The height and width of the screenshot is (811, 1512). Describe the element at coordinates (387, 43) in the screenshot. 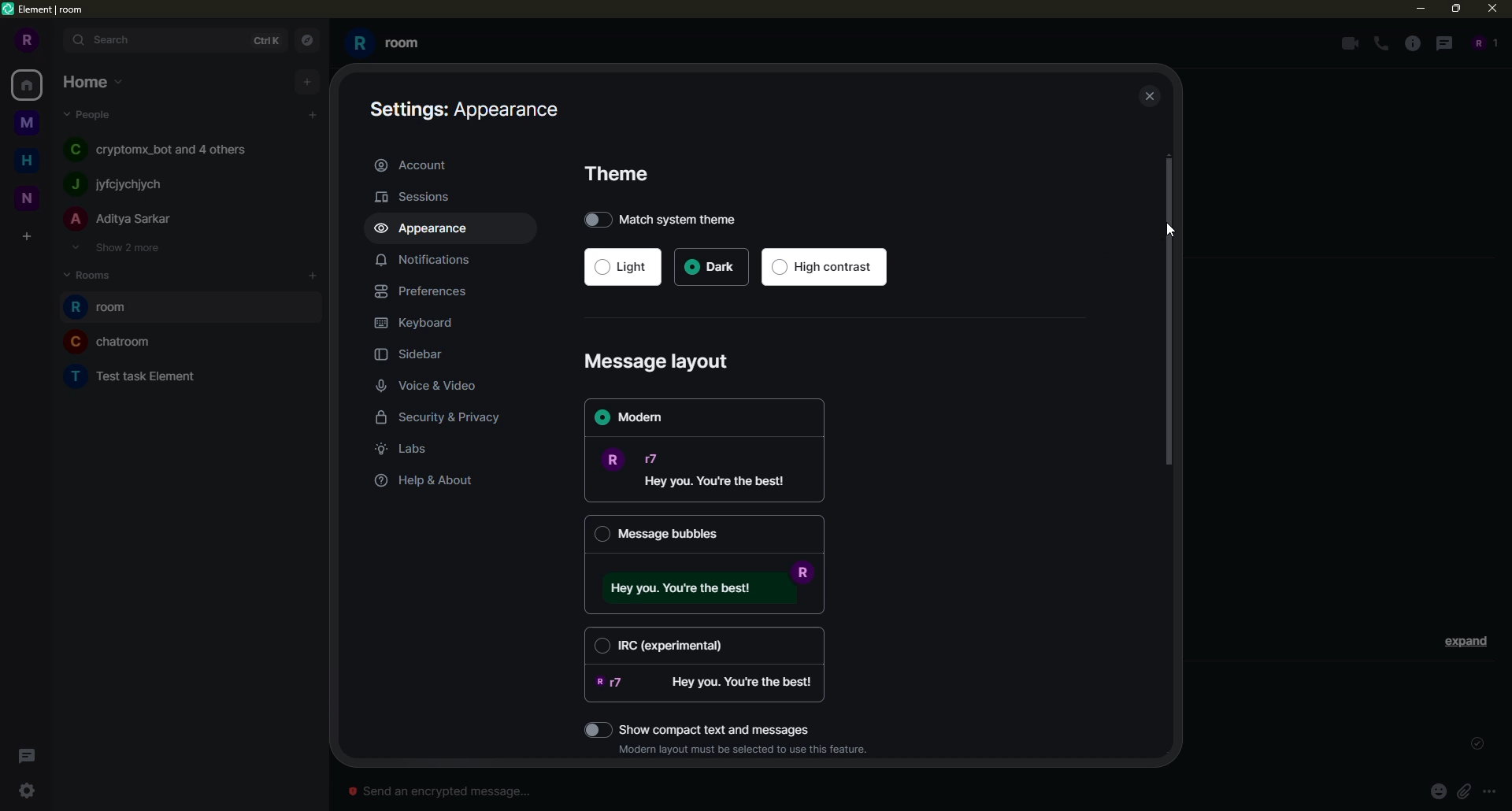

I see `room` at that location.